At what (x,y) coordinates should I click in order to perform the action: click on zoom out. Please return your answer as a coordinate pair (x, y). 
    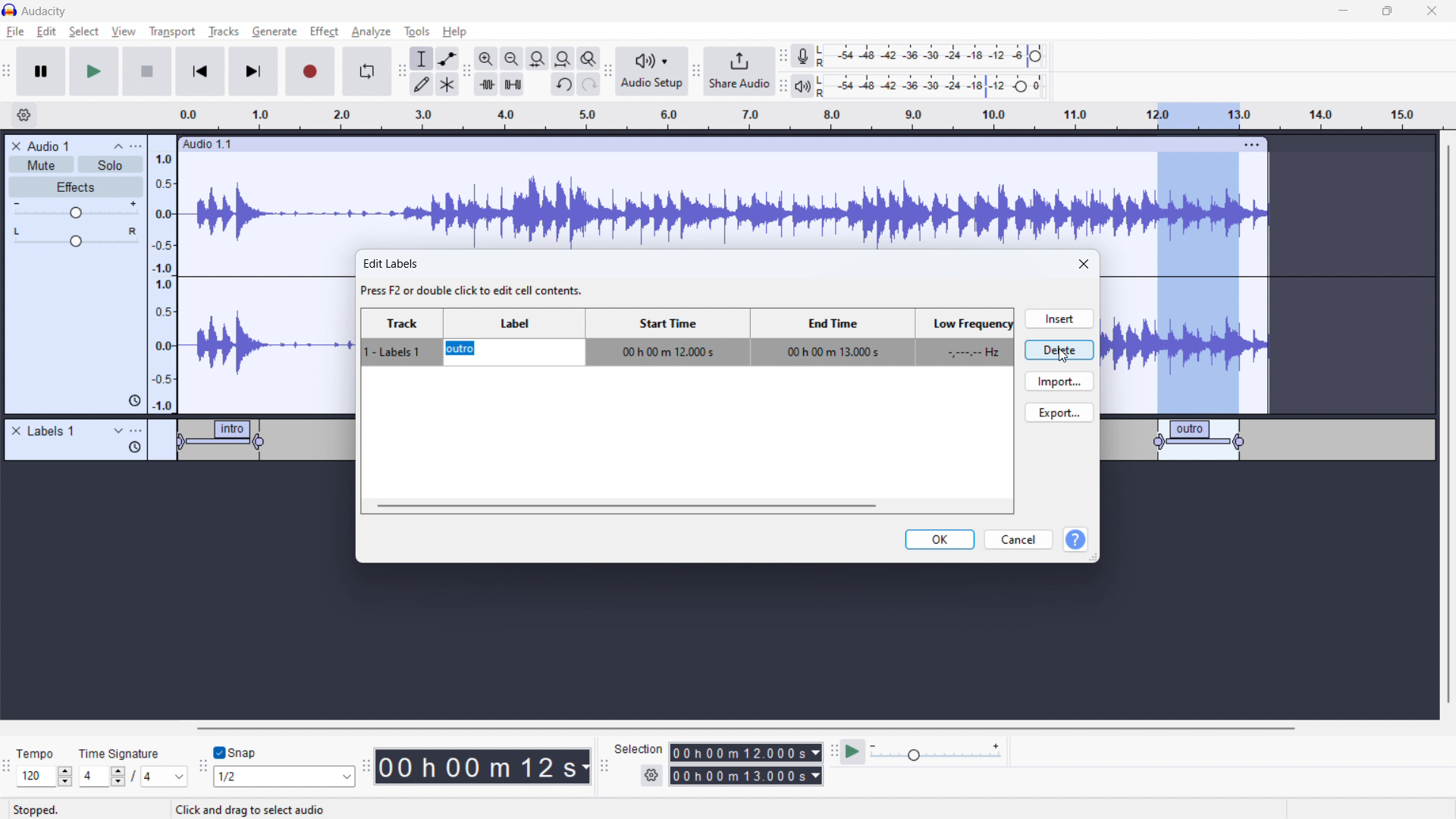
    Looking at the image, I should click on (511, 58).